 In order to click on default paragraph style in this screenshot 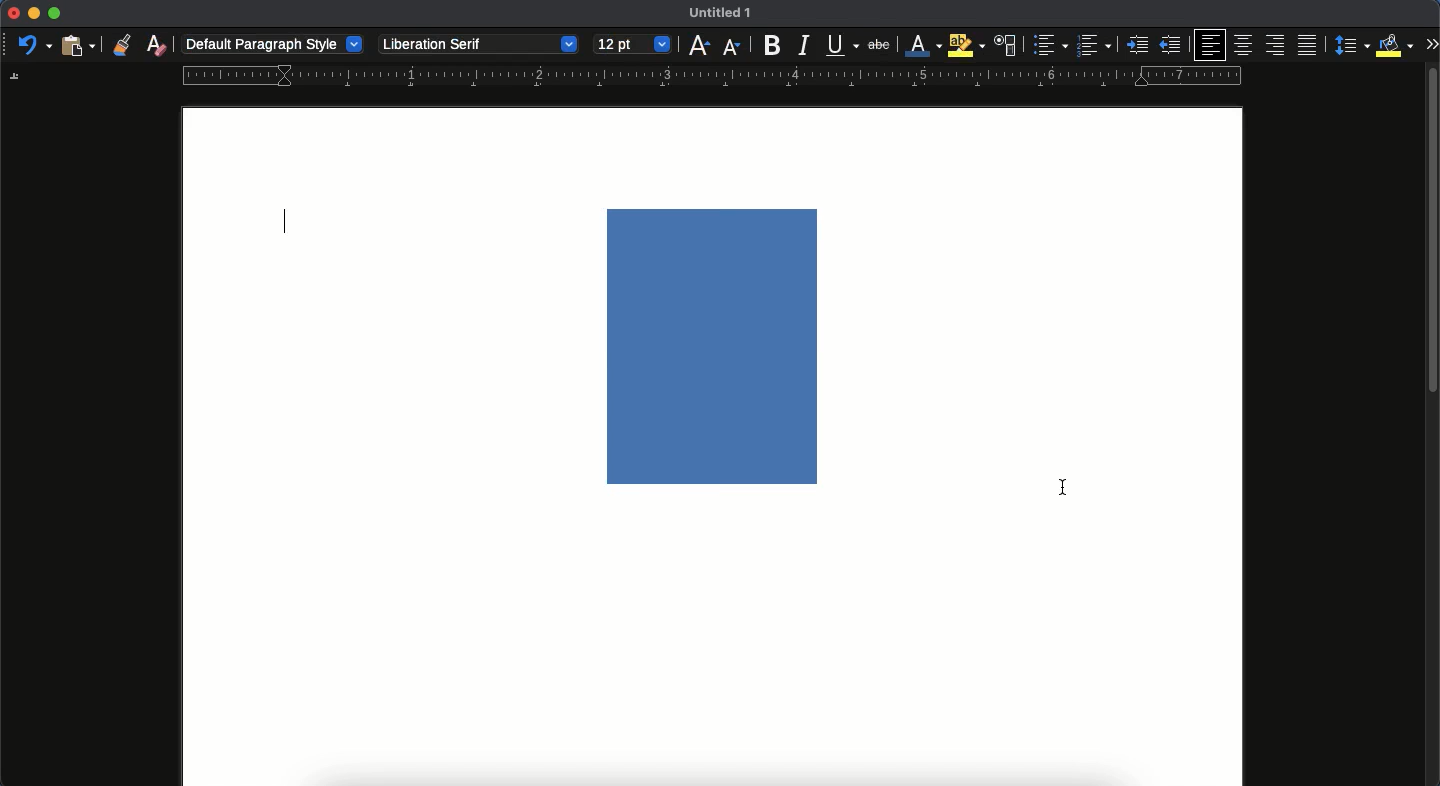, I will do `click(273, 43)`.